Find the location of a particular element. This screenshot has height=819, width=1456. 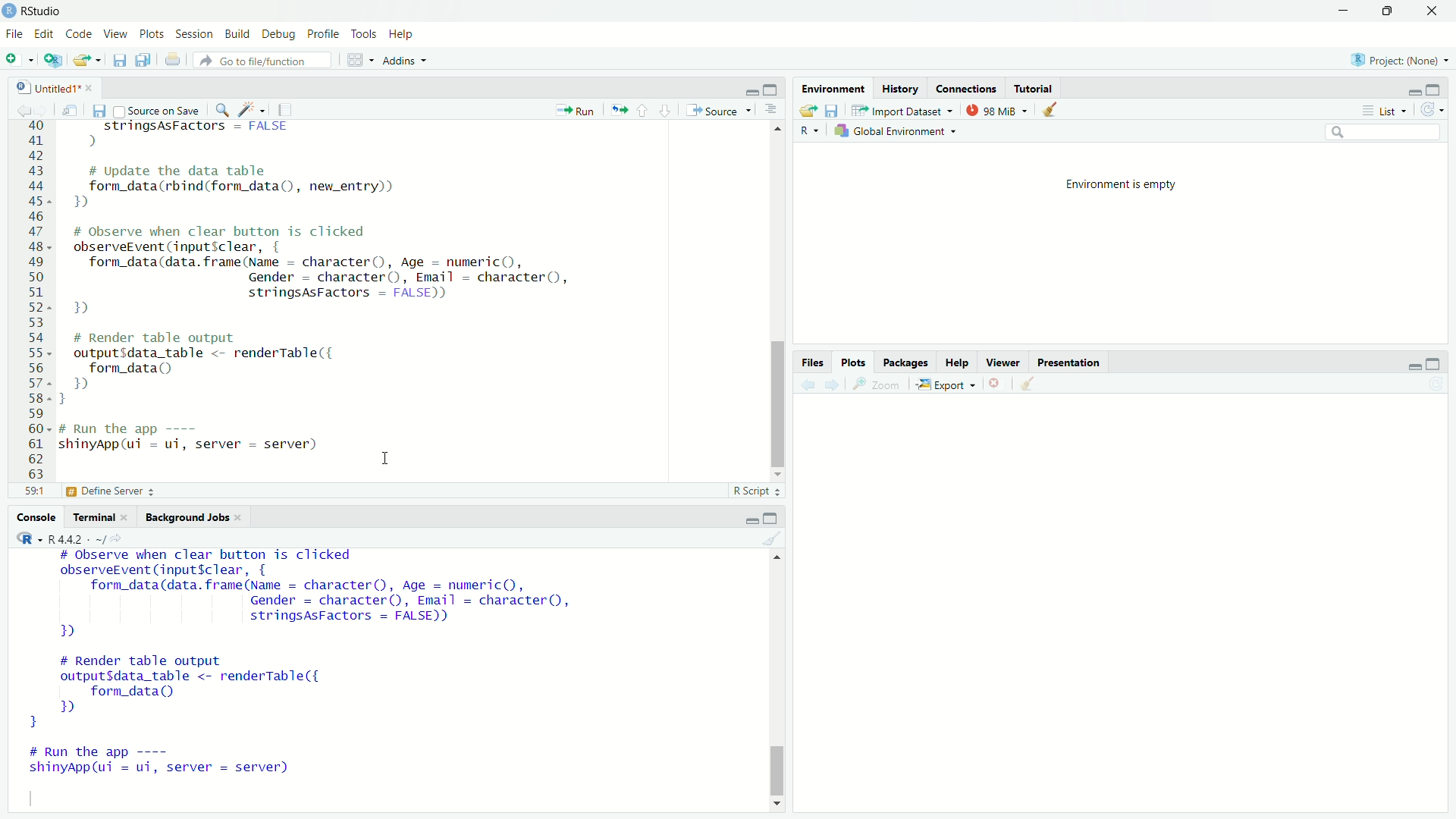

clear console is located at coordinates (775, 538).